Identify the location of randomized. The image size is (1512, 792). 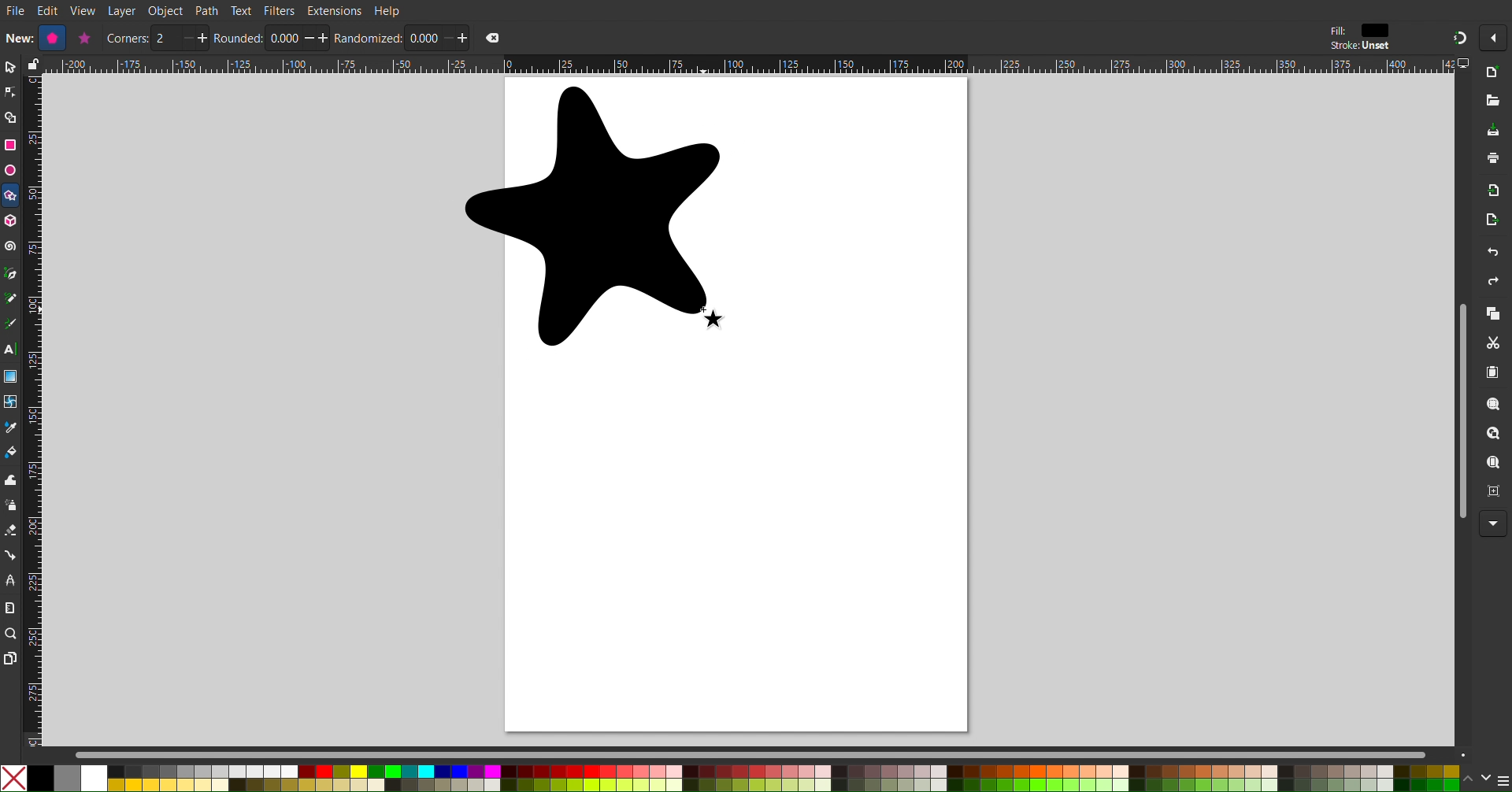
(369, 38).